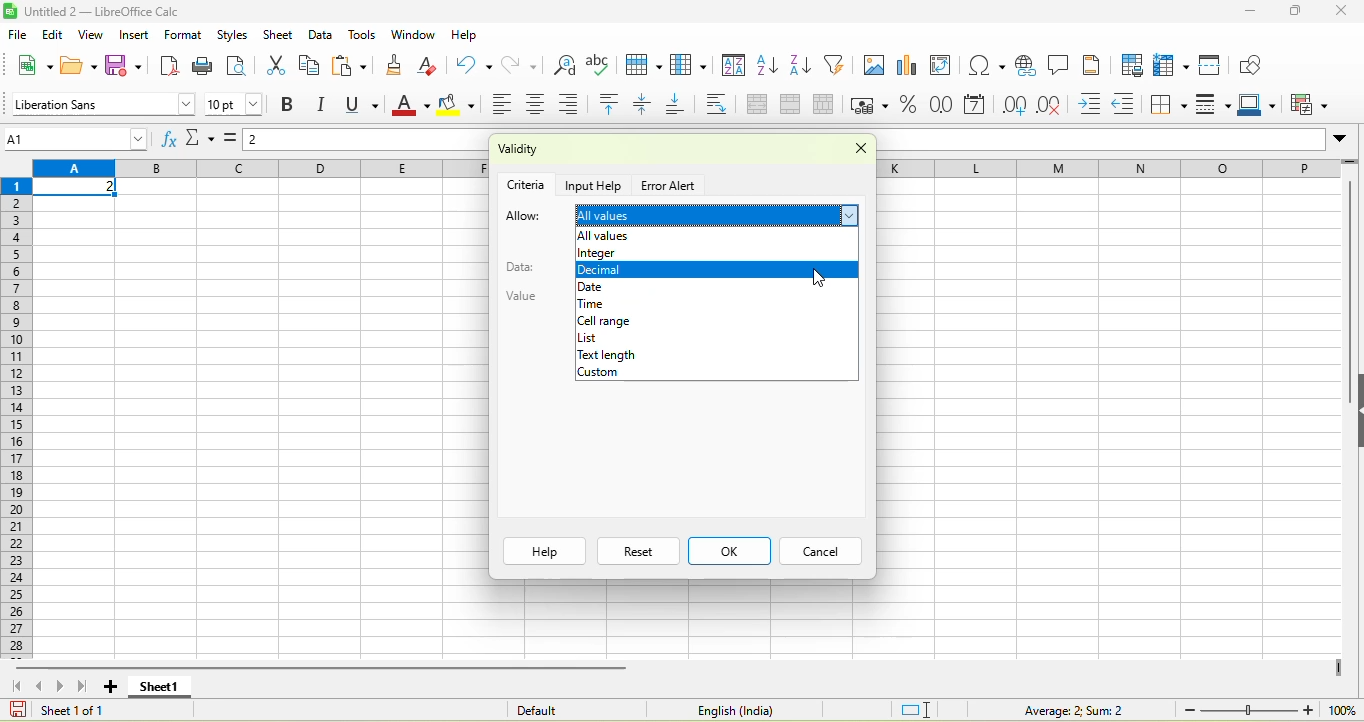 Image resolution: width=1364 pixels, height=722 pixels. What do you see at coordinates (1249, 709) in the screenshot?
I see `zoom` at bounding box center [1249, 709].